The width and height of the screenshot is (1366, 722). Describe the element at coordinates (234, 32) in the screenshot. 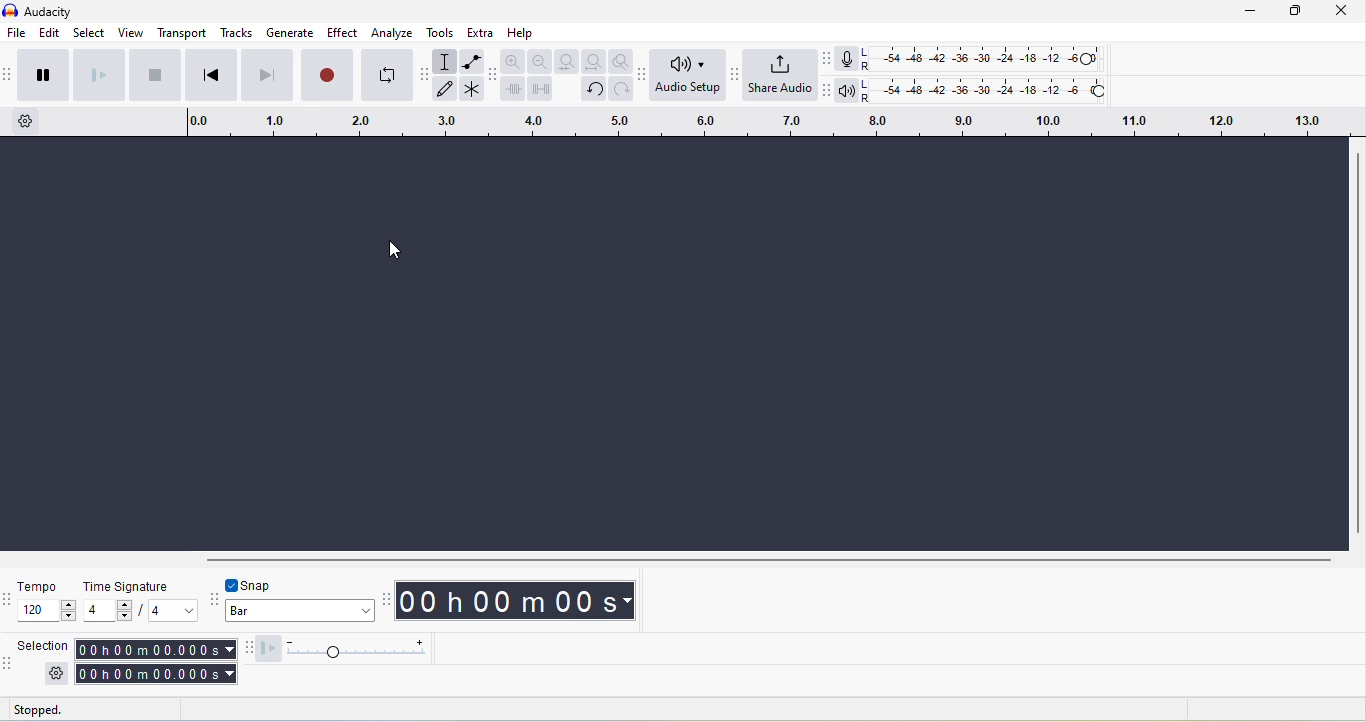

I see `tracks` at that location.